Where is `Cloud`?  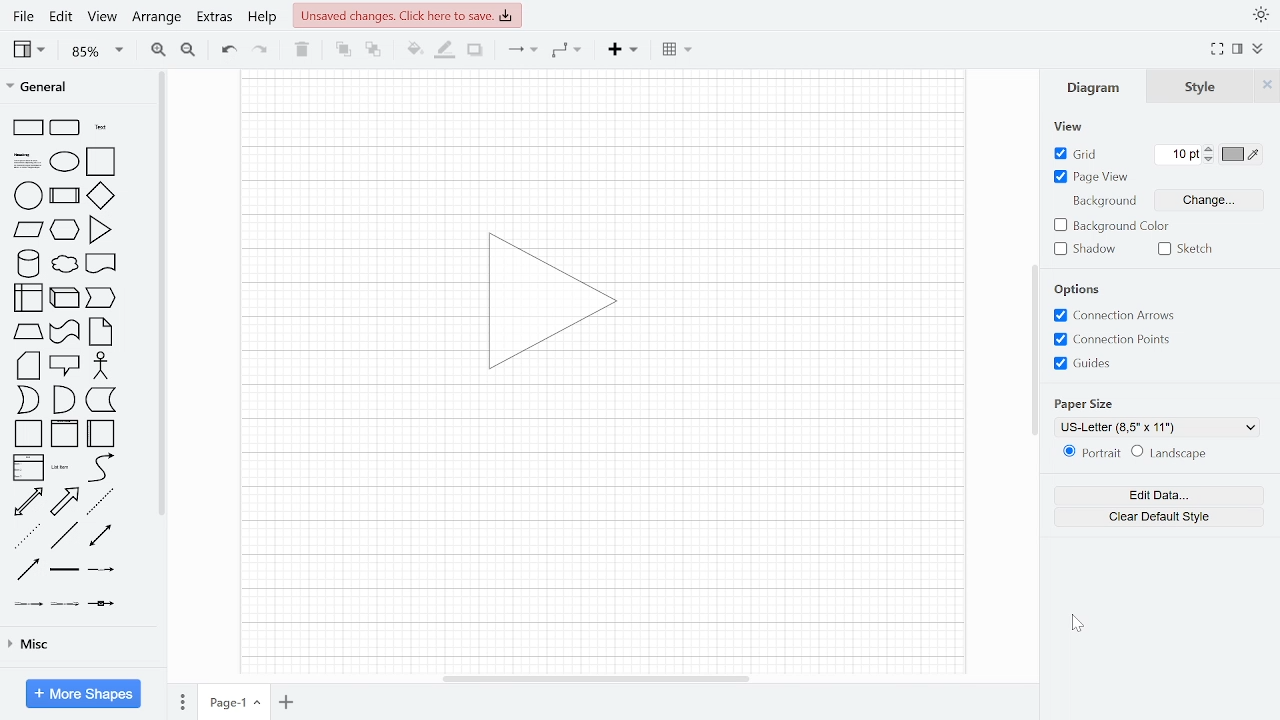
Cloud is located at coordinates (65, 264).